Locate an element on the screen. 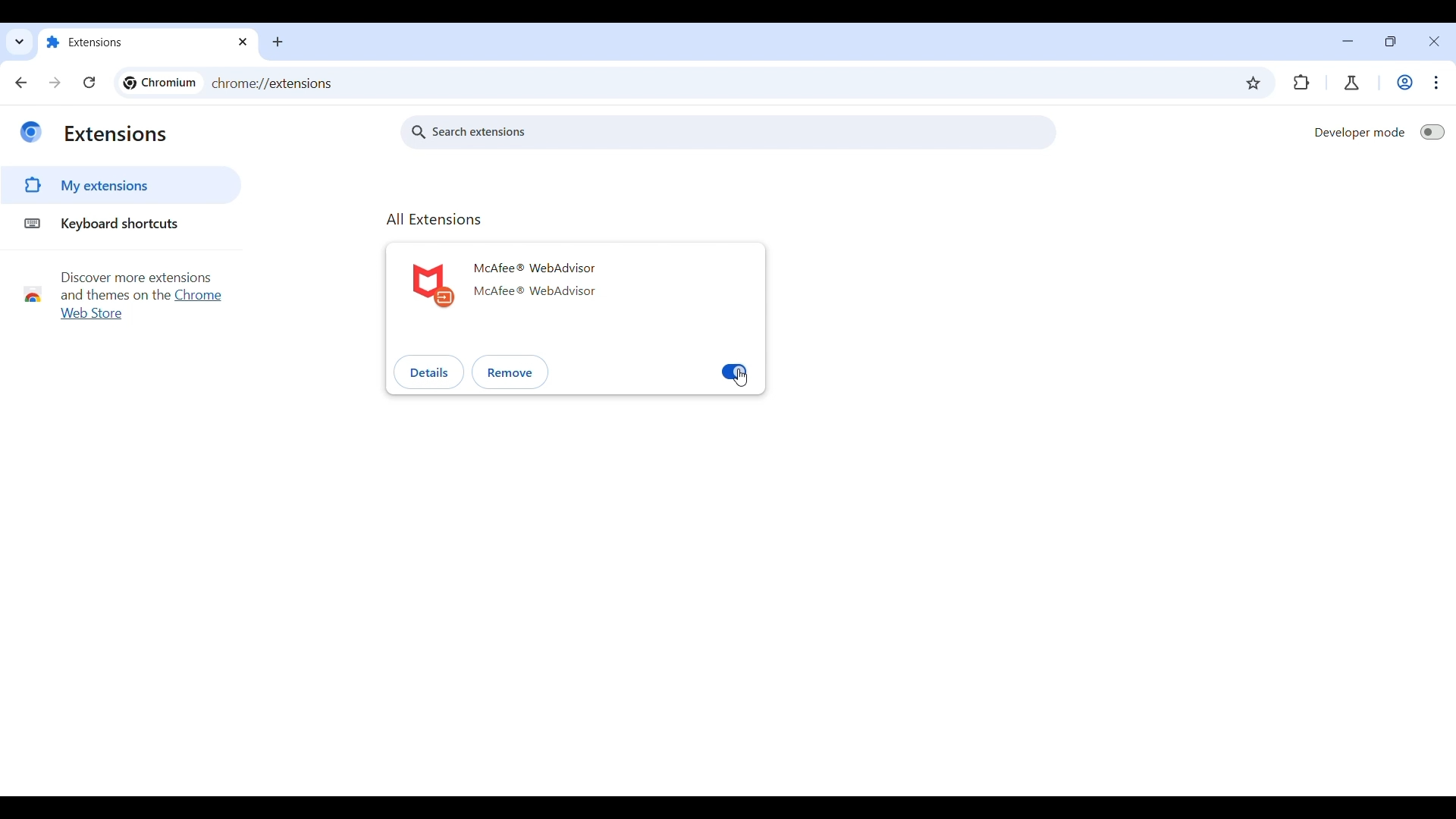 The image size is (1456, 819). Search extensions is located at coordinates (729, 132).